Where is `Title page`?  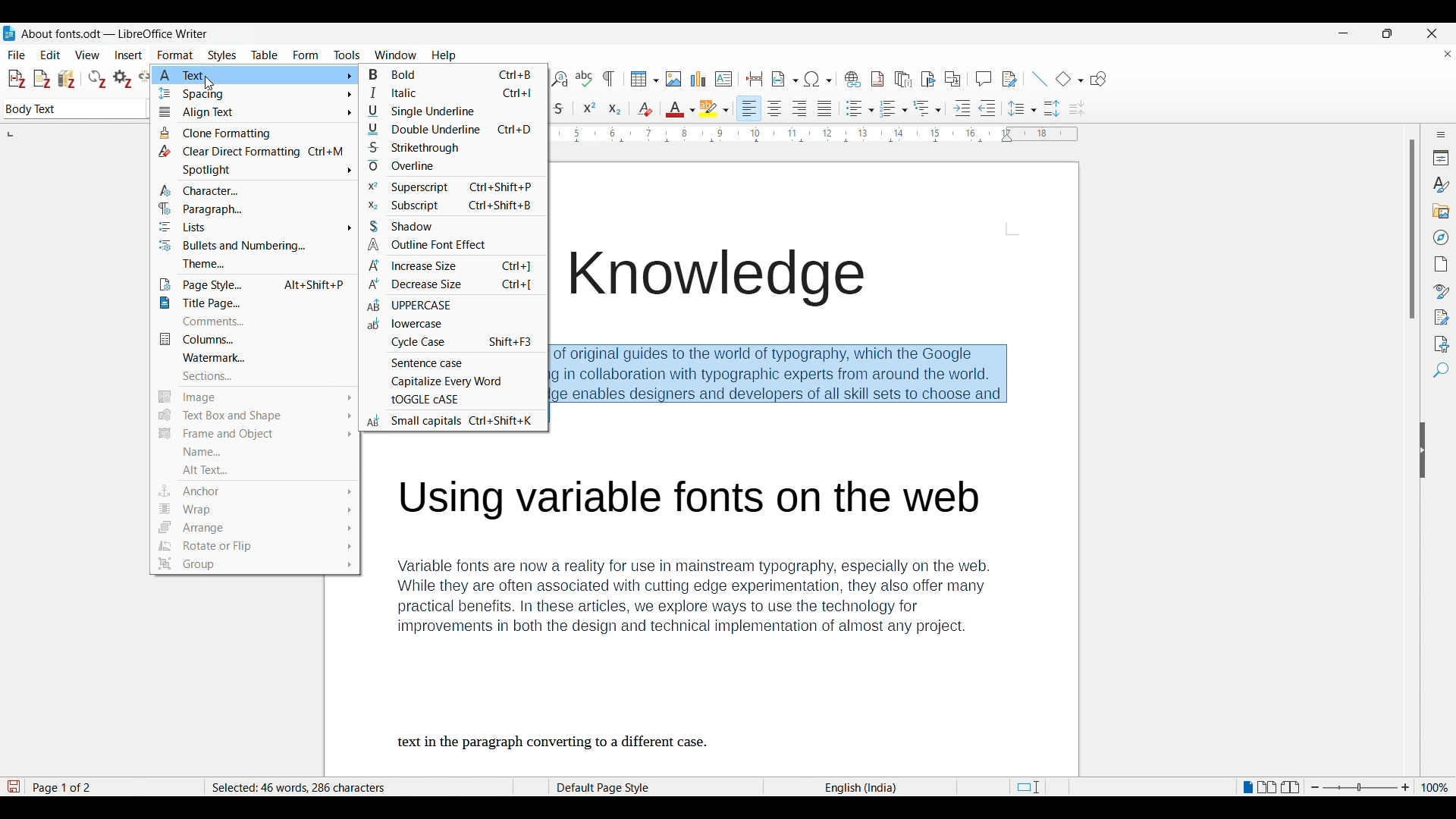 Title page is located at coordinates (249, 303).